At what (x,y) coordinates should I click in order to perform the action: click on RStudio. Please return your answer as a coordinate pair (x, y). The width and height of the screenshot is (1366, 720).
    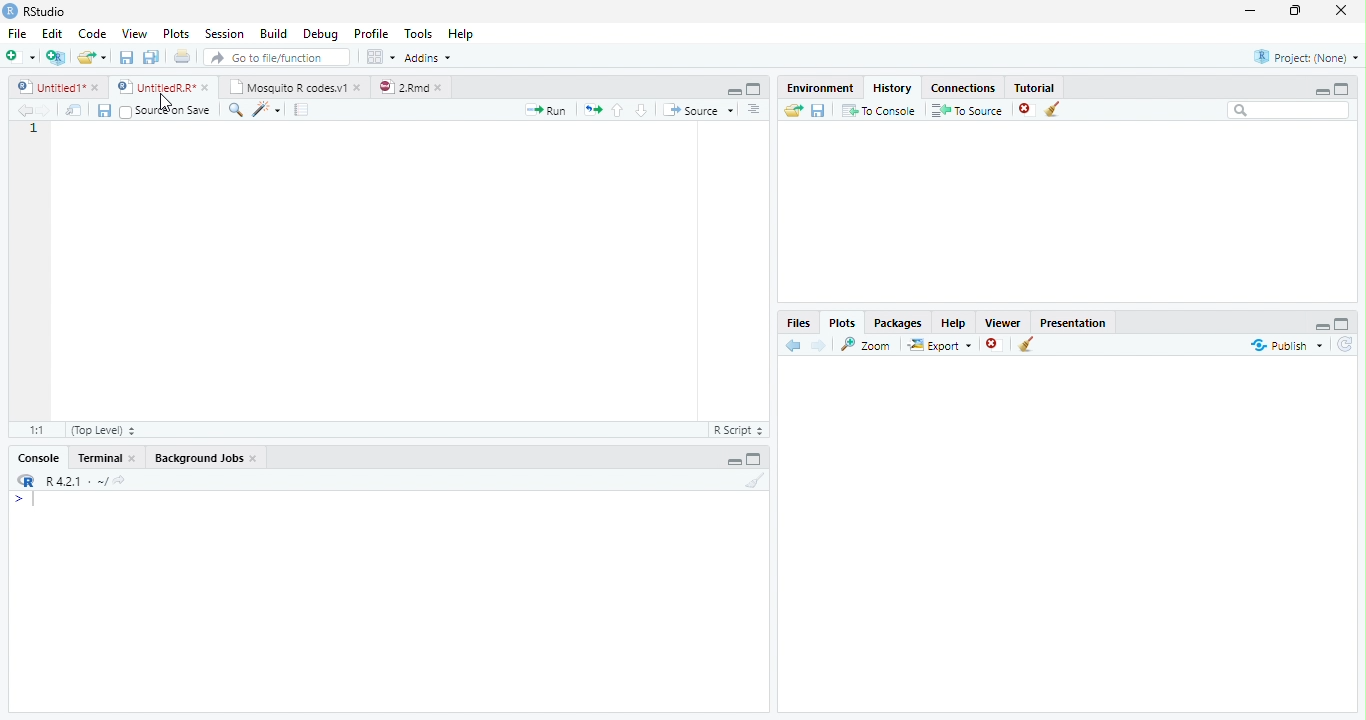
    Looking at the image, I should click on (35, 11).